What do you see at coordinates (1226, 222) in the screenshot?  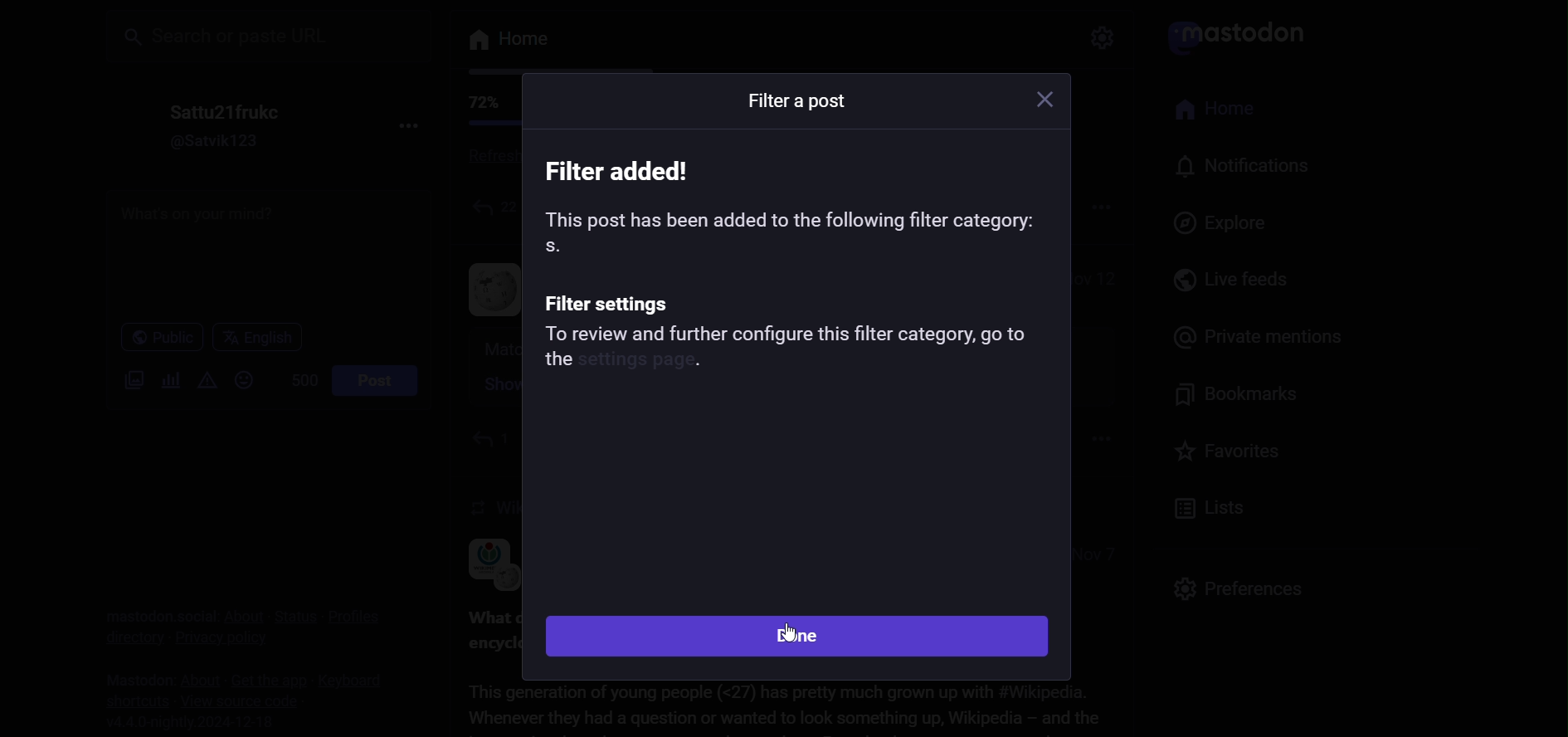 I see `explore` at bounding box center [1226, 222].